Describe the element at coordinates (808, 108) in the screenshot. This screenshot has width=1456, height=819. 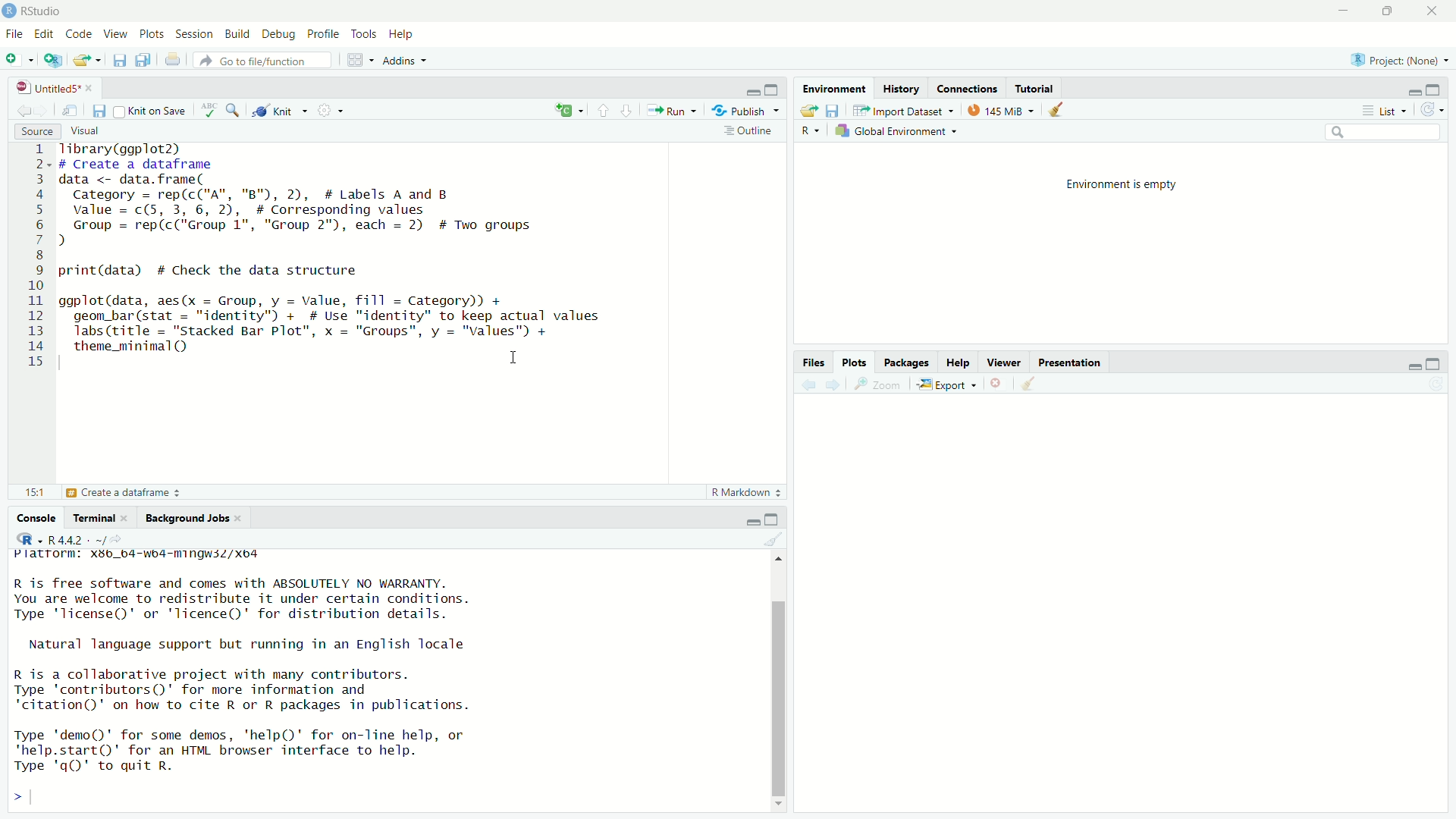
I see `Load workspace` at that location.